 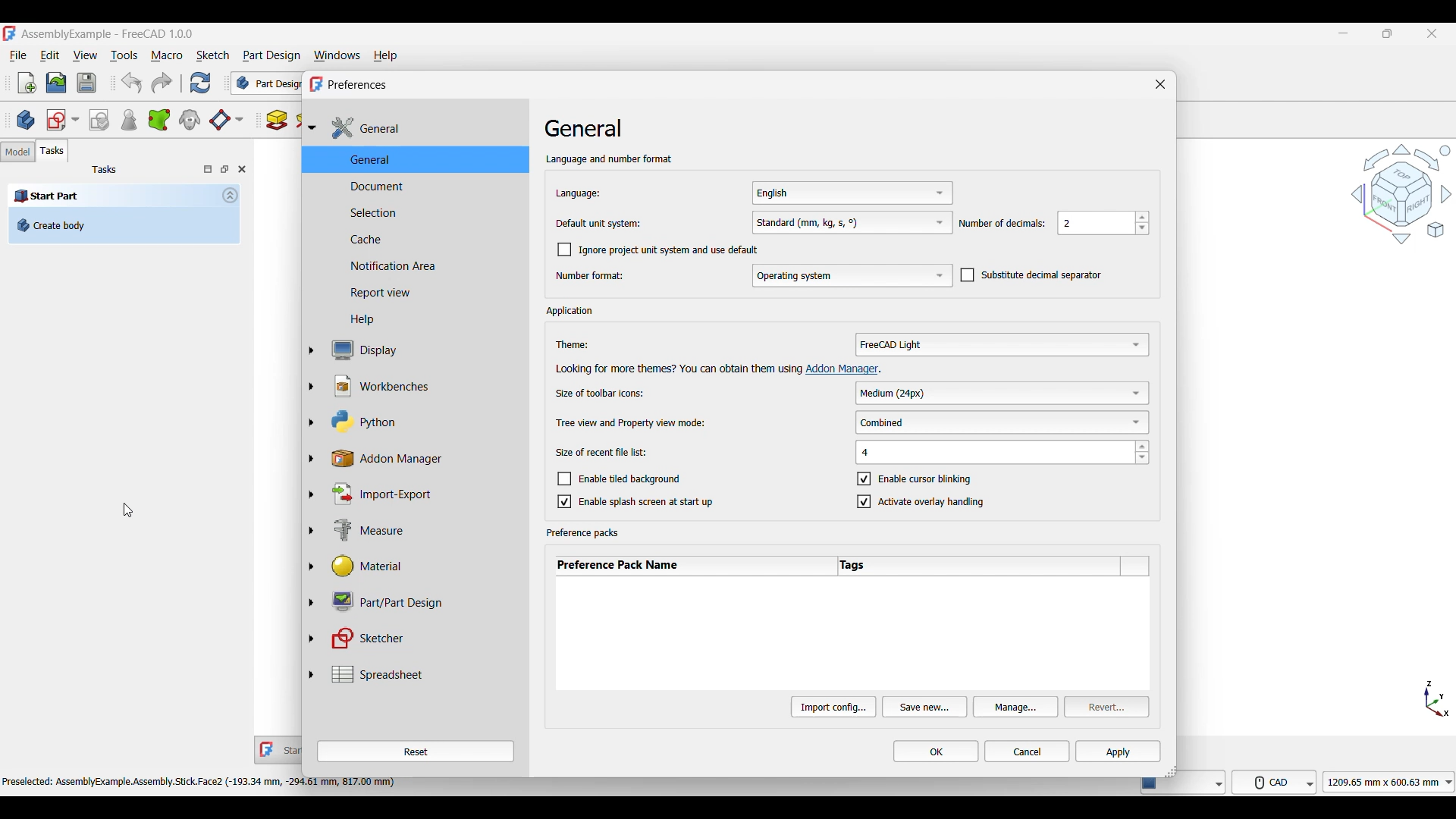 What do you see at coordinates (632, 477) in the screenshot?
I see `Enable tiled background` at bounding box center [632, 477].